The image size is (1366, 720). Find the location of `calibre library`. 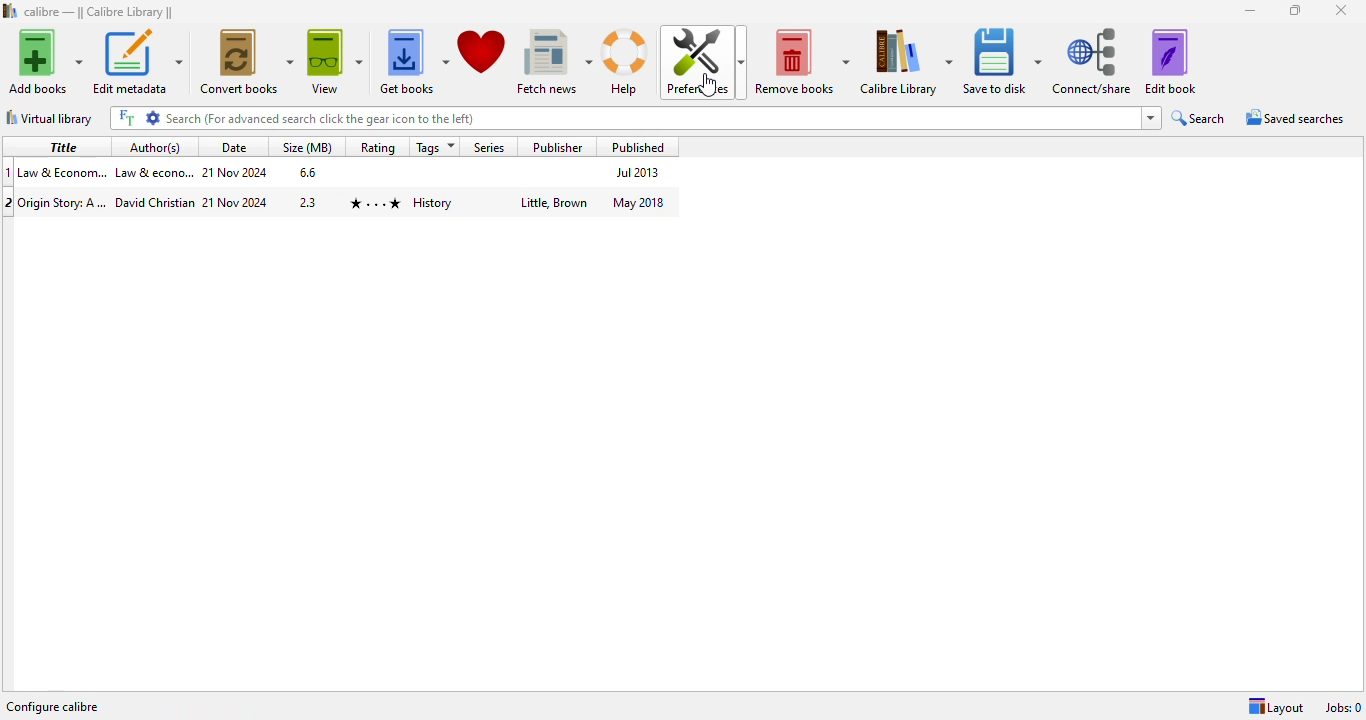

calibre library is located at coordinates (100, 12).